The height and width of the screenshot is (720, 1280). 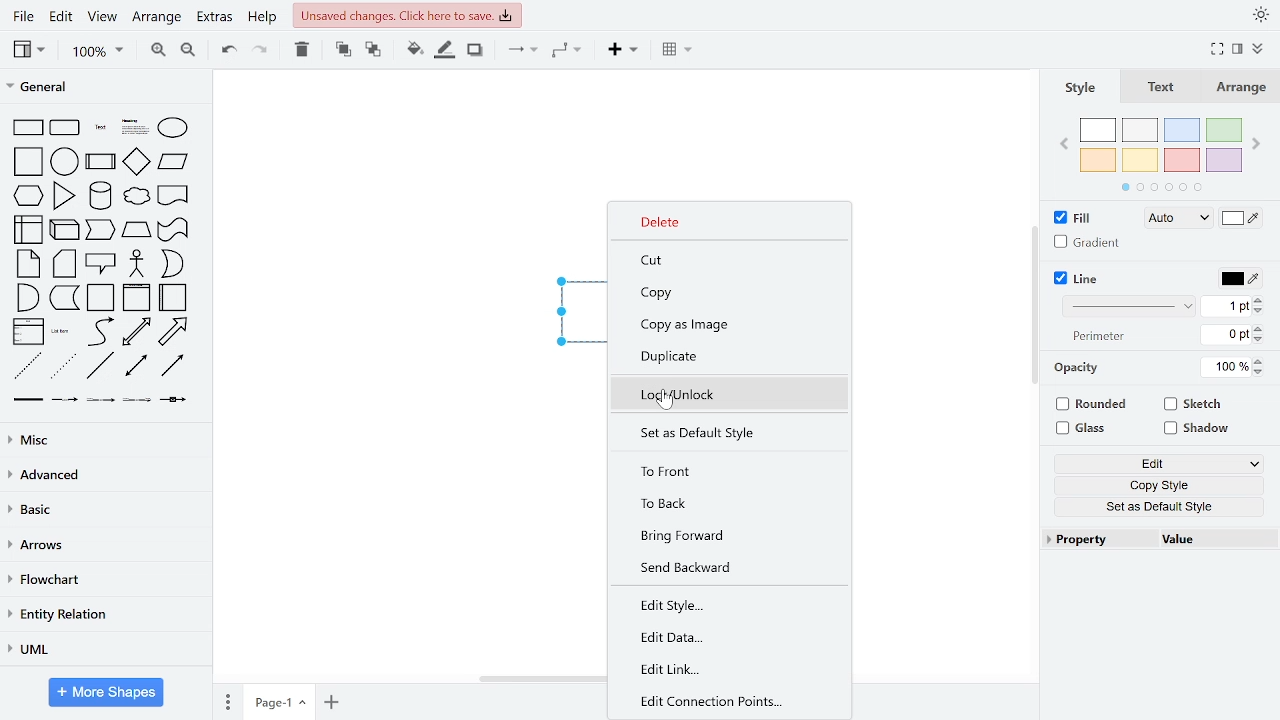 I want to click on cube, so click(x=101, y=230).